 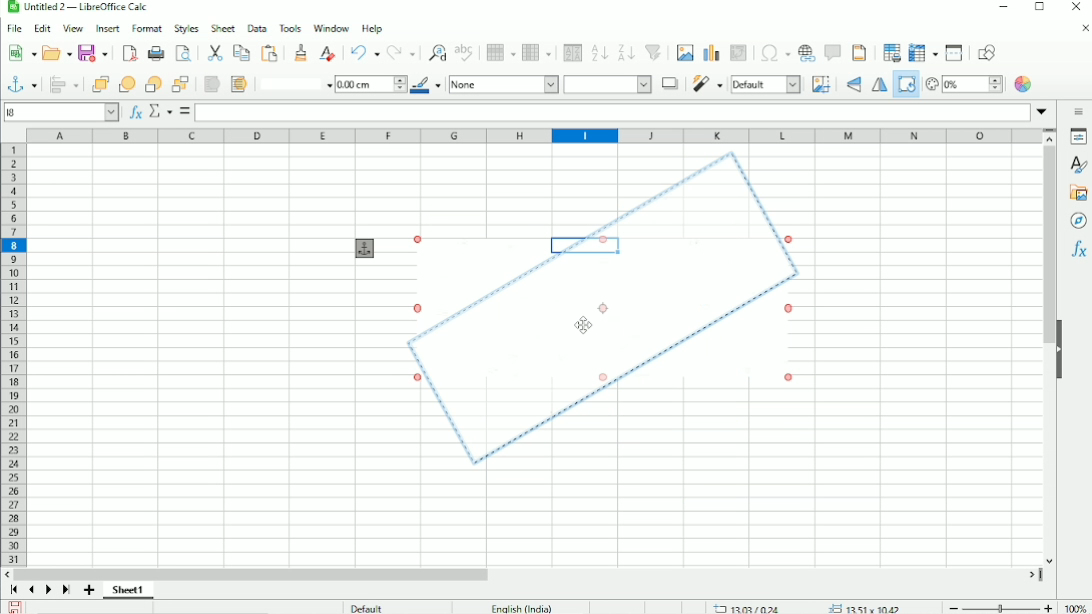 I want to click on Close, so click(x=1075, y=7).